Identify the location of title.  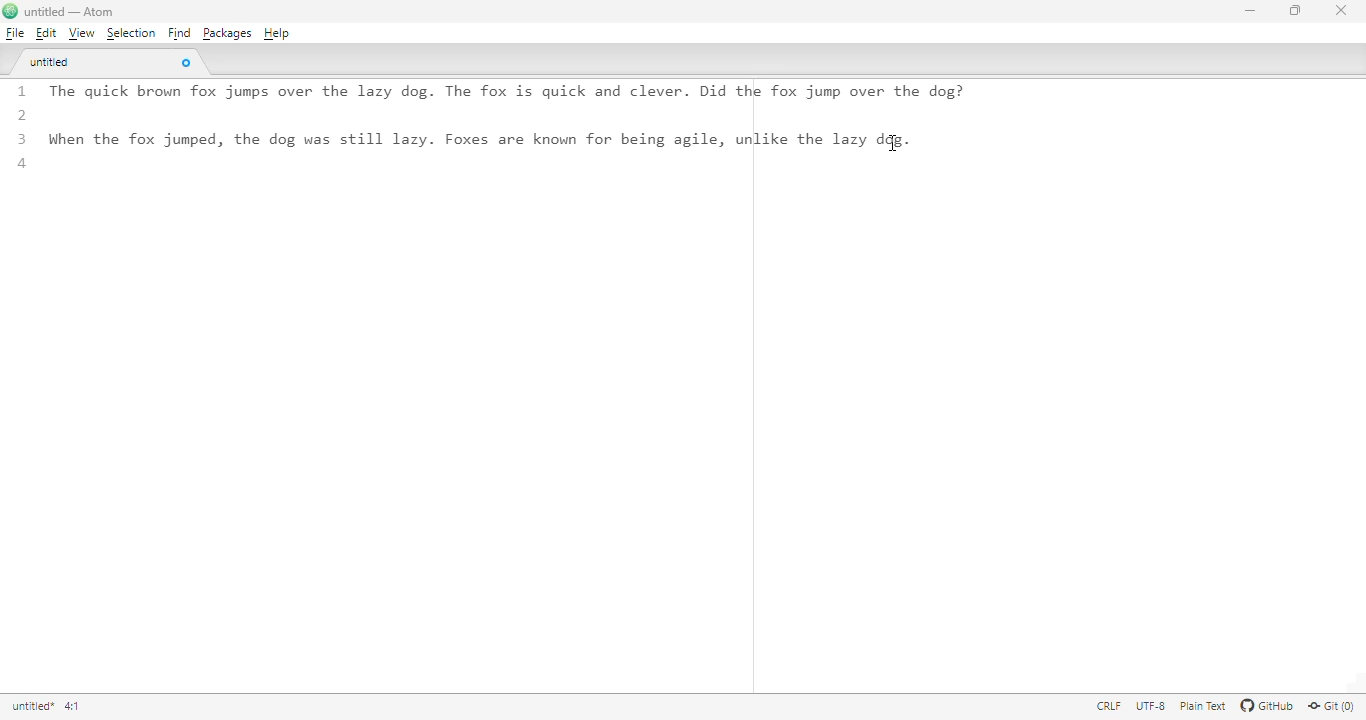
(32, 707).